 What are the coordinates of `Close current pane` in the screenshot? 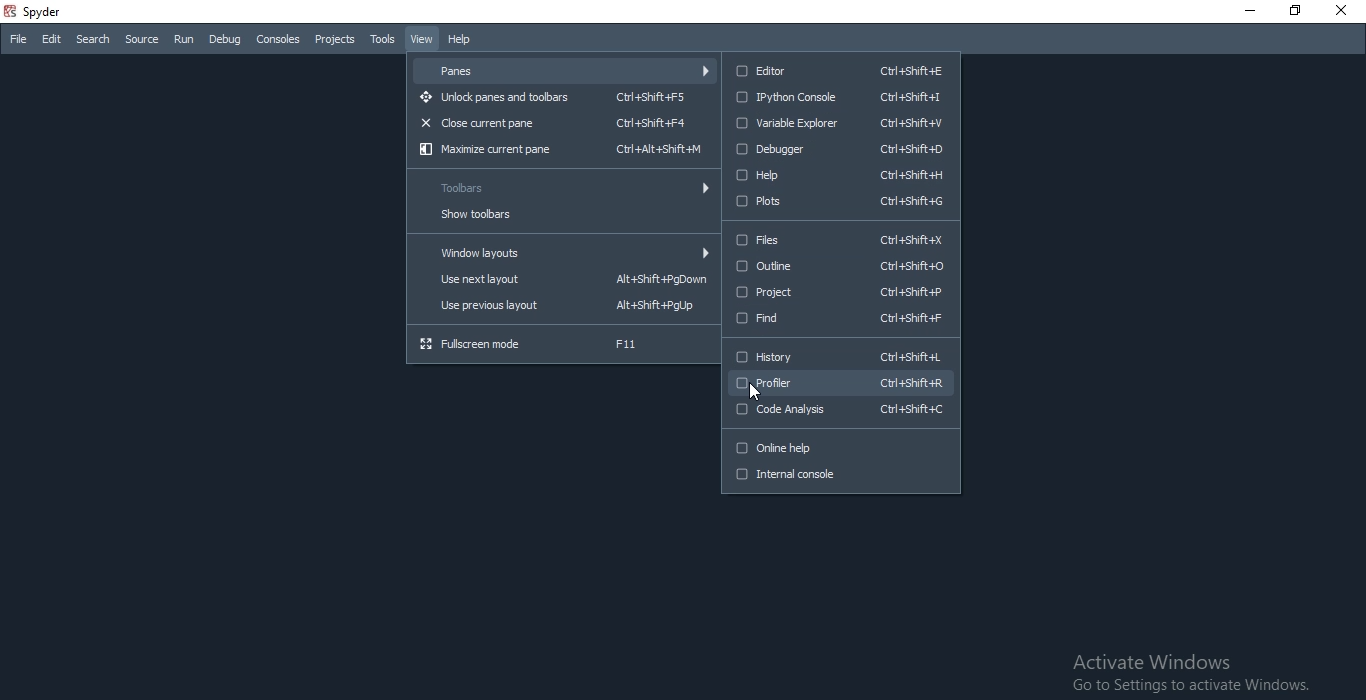 It's located at (563, 124).